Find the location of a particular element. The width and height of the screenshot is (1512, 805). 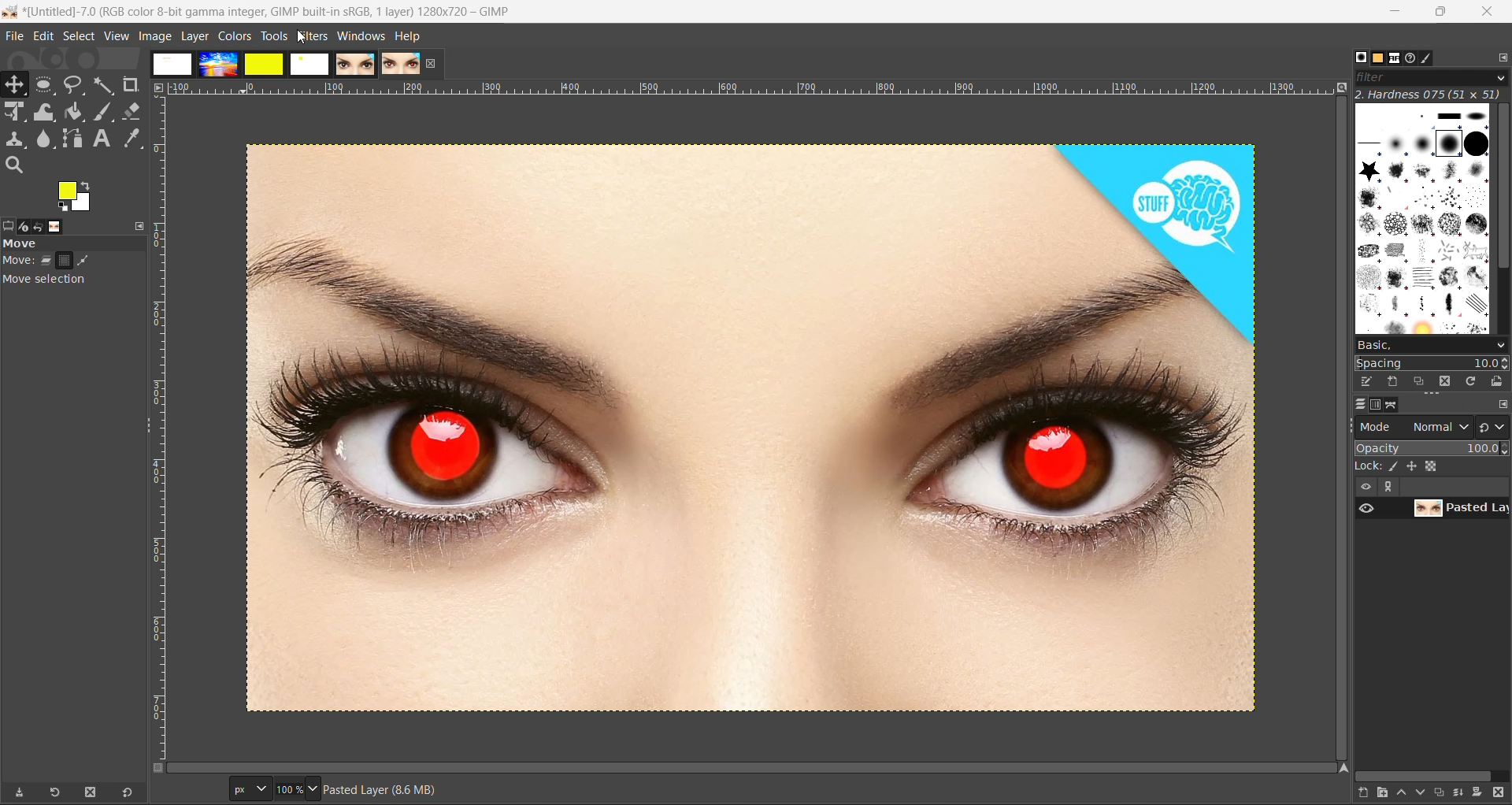

ruler is located at coordinates (163, 427).